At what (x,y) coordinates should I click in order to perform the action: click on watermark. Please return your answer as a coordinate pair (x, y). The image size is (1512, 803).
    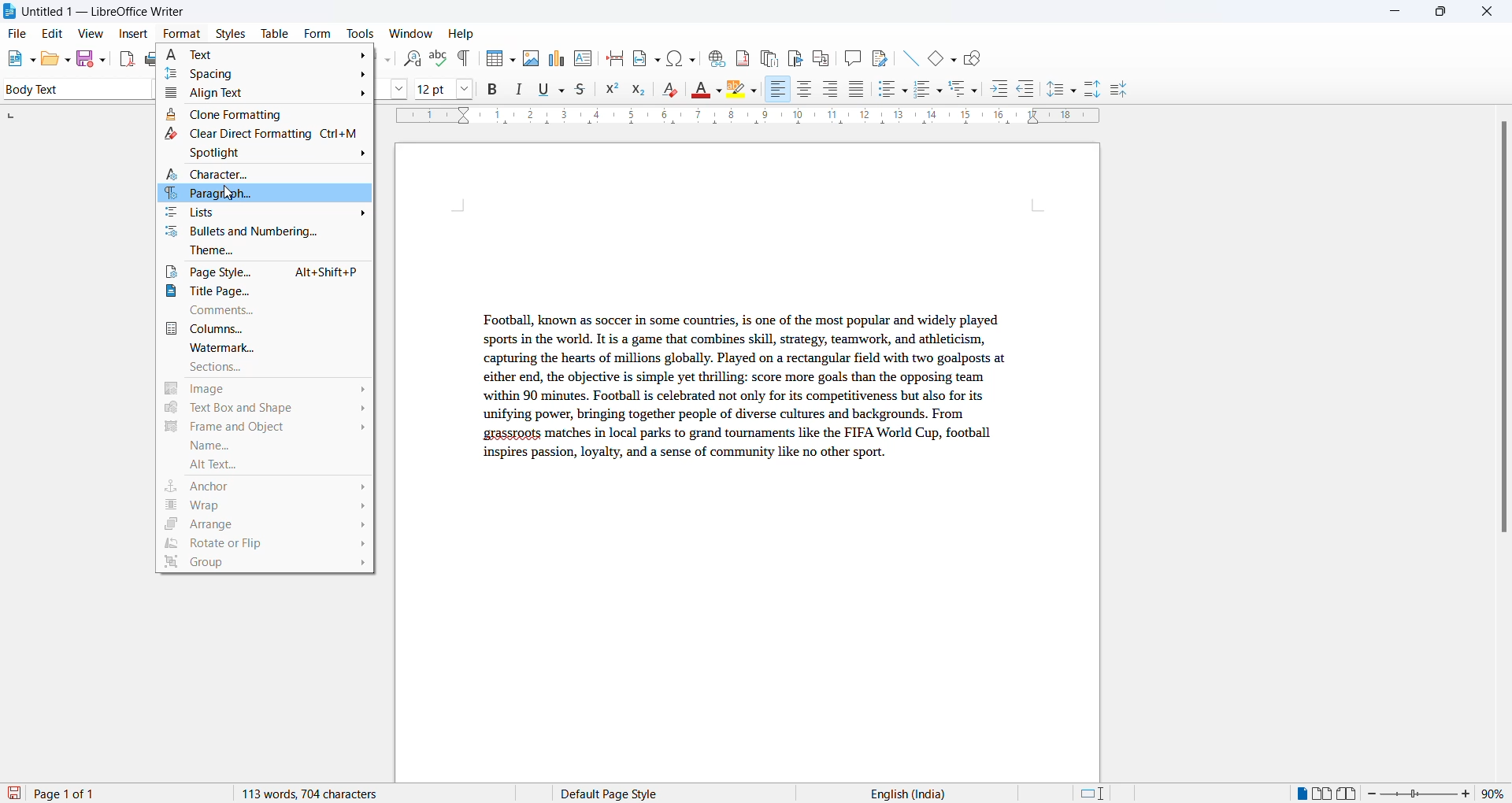
    Looking at the image, I should click on (267, 348).